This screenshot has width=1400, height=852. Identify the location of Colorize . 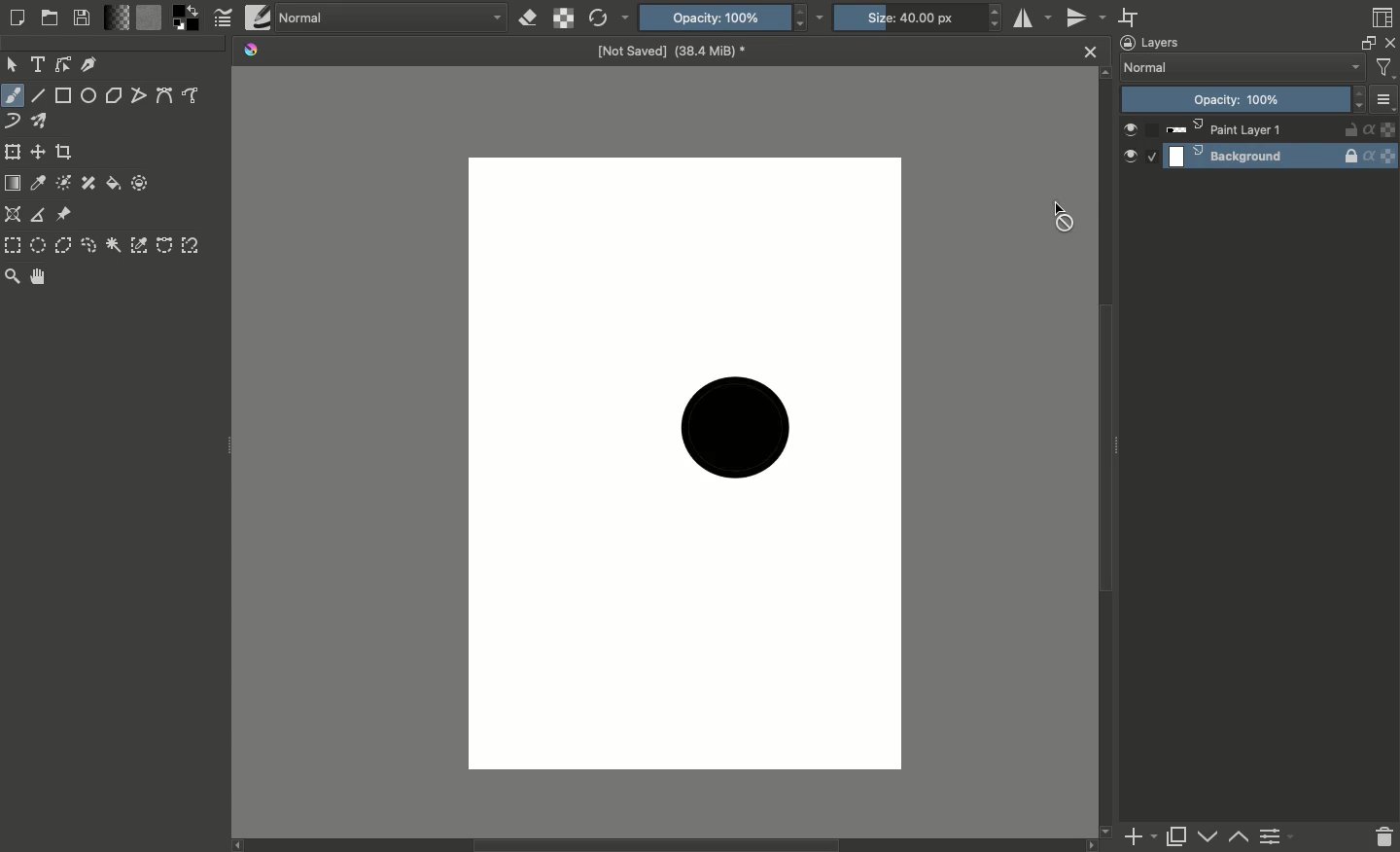
(66, 184).